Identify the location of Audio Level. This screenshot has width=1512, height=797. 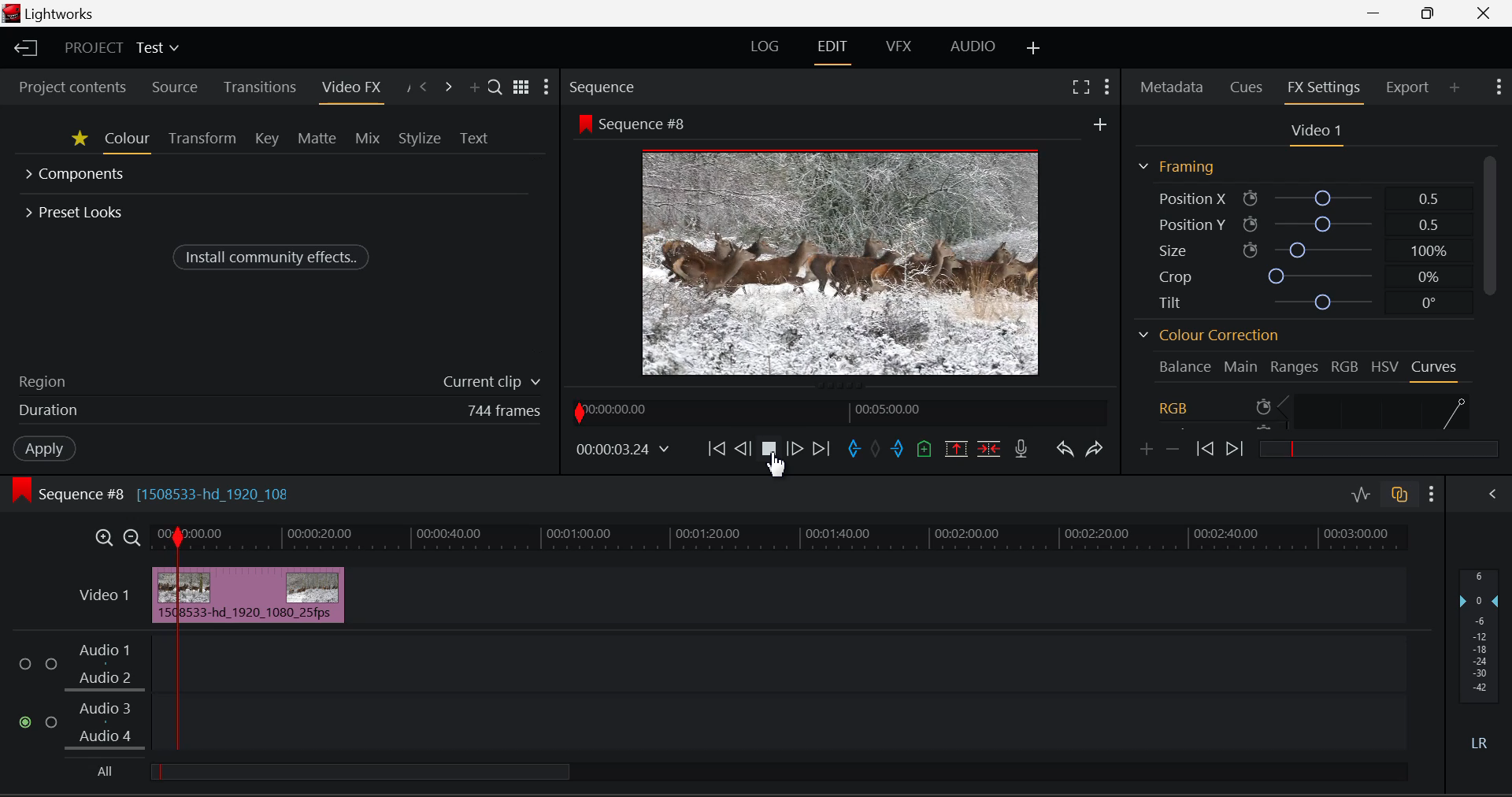
(706, 692).